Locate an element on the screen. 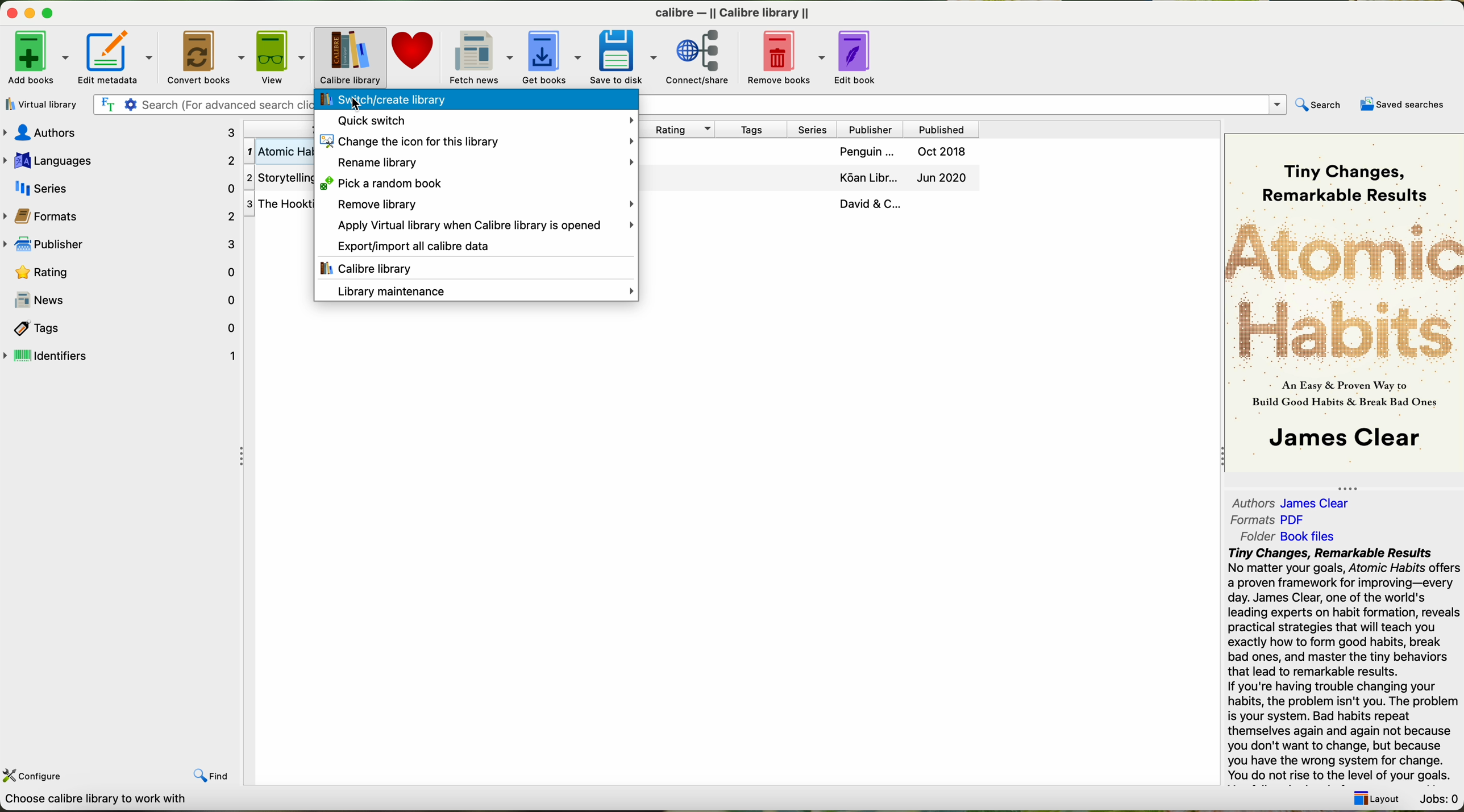  tags is located at coordinates (122, 327).